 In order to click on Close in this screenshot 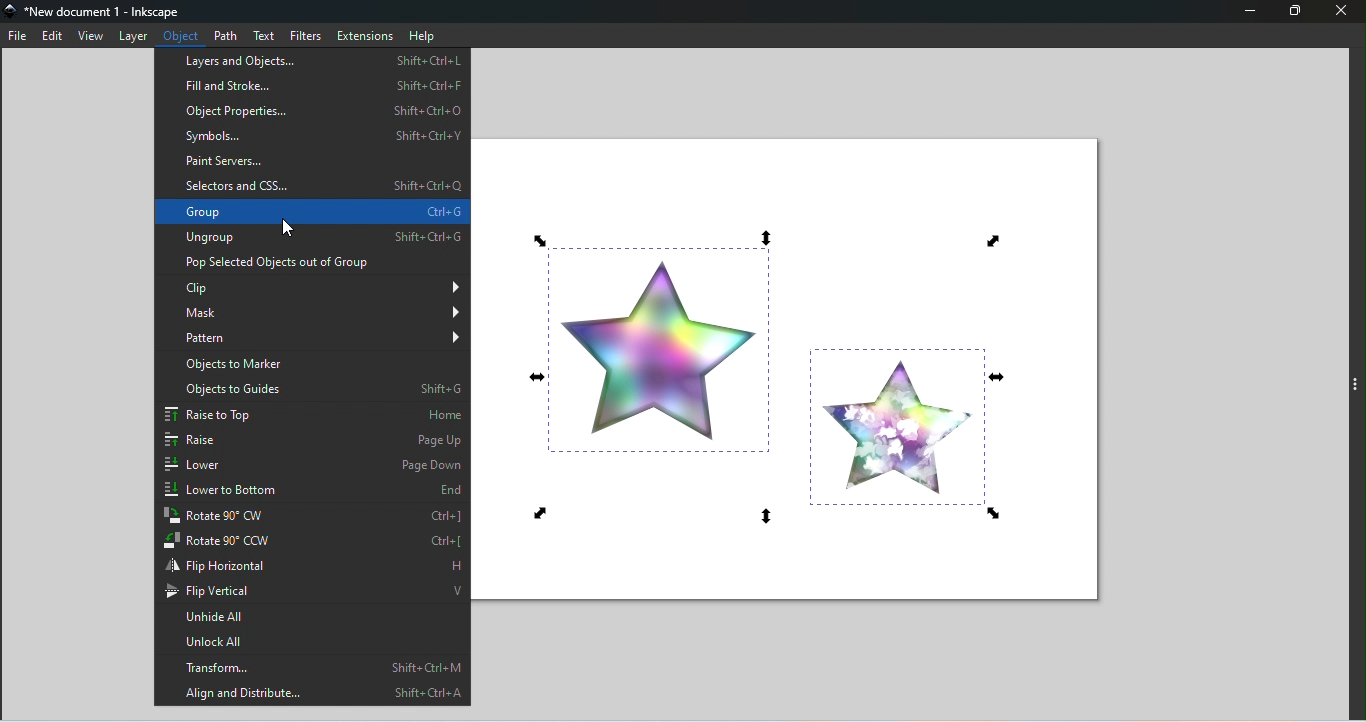, I will do `click(1342, 12)`.